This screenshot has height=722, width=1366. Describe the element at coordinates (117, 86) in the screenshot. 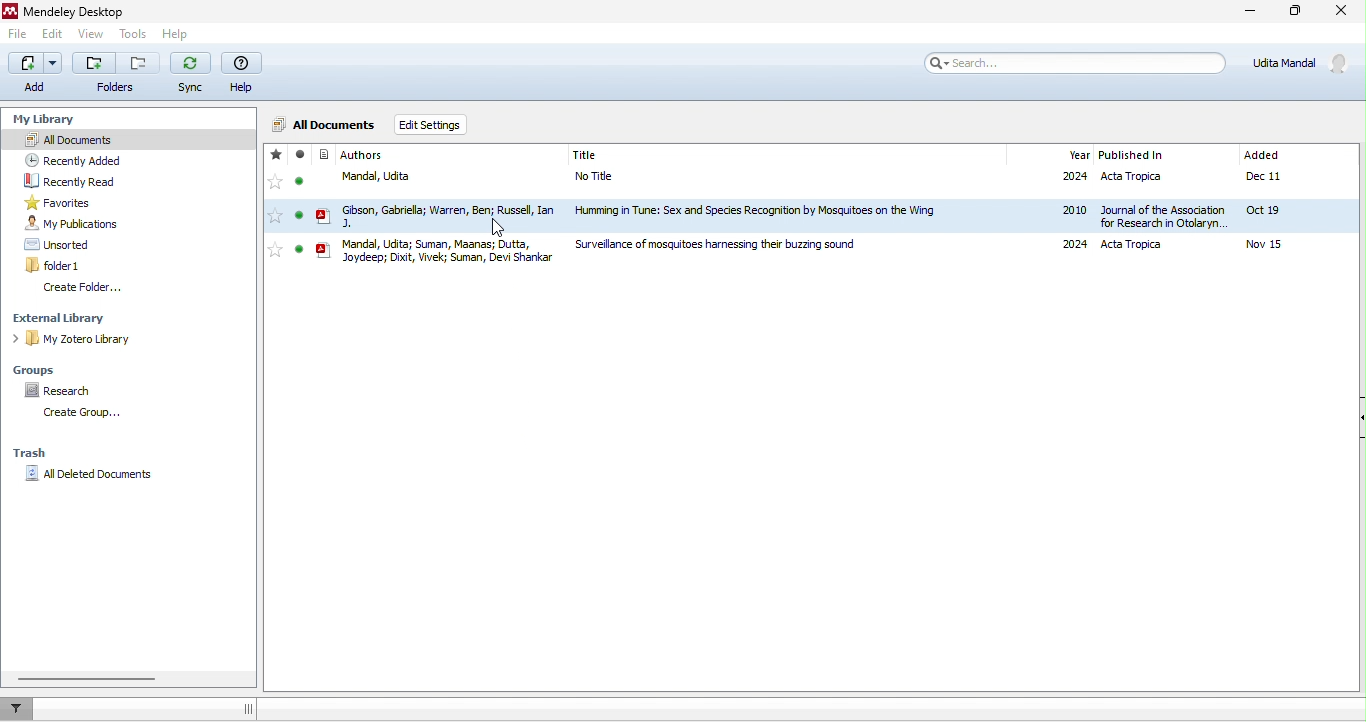

I see `folders` at that location.